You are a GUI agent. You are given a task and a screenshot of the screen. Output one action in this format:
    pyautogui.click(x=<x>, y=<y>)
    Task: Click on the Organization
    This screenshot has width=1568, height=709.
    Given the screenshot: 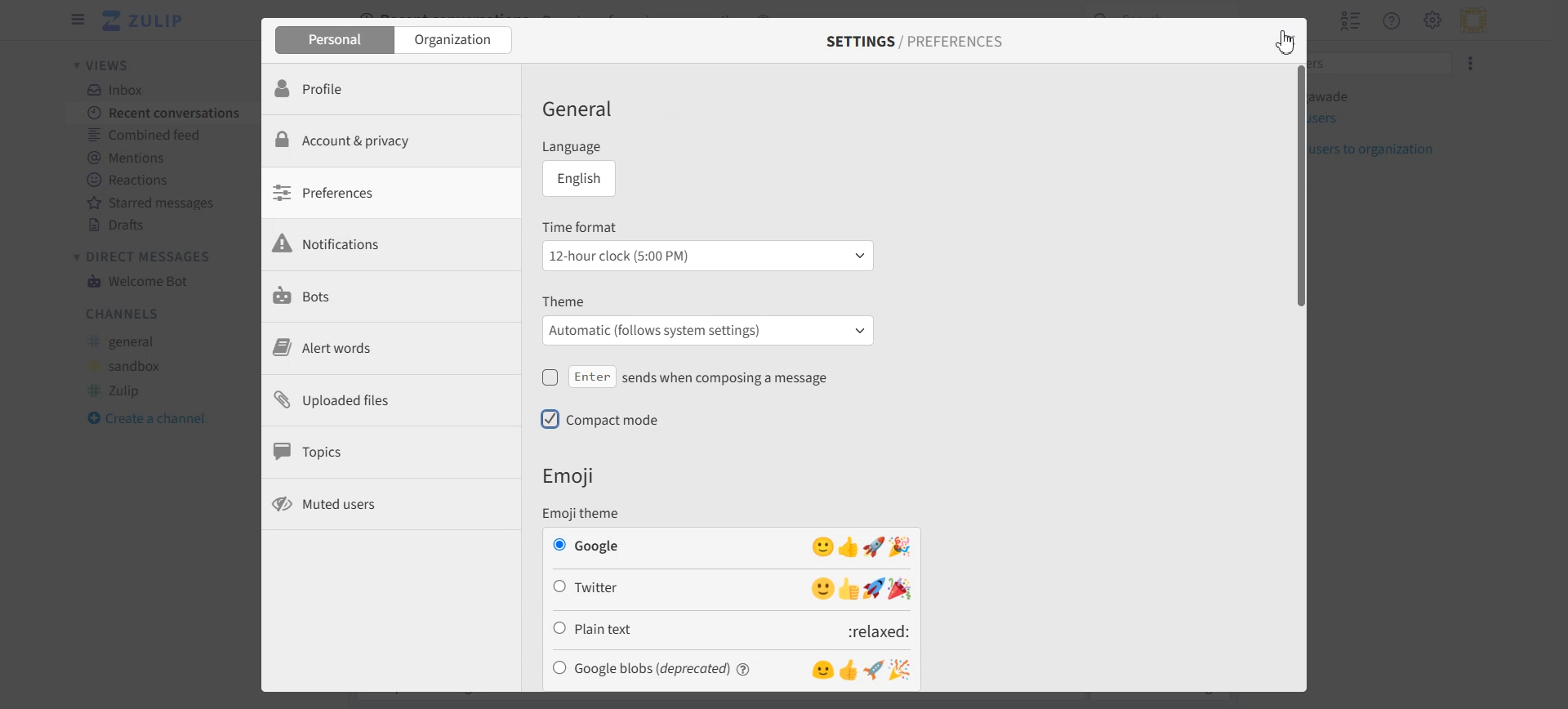 What is the action you would take?
    pyautogui.click(x=456, y=42)
    